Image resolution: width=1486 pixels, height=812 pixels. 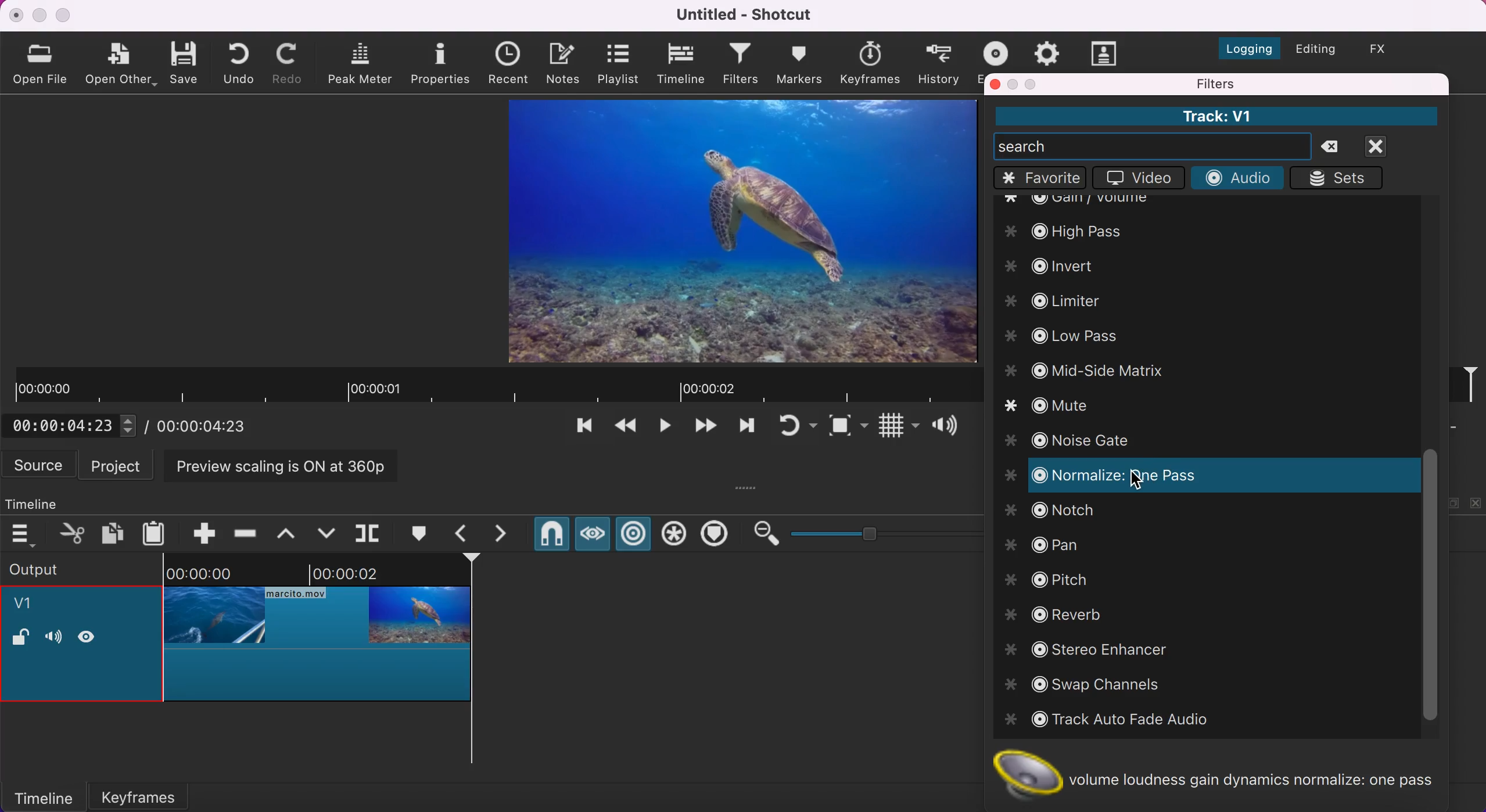 What do you see at coordinates (442, 62) in the screenshot?
I see `properties` at bounding box center [442, 62].